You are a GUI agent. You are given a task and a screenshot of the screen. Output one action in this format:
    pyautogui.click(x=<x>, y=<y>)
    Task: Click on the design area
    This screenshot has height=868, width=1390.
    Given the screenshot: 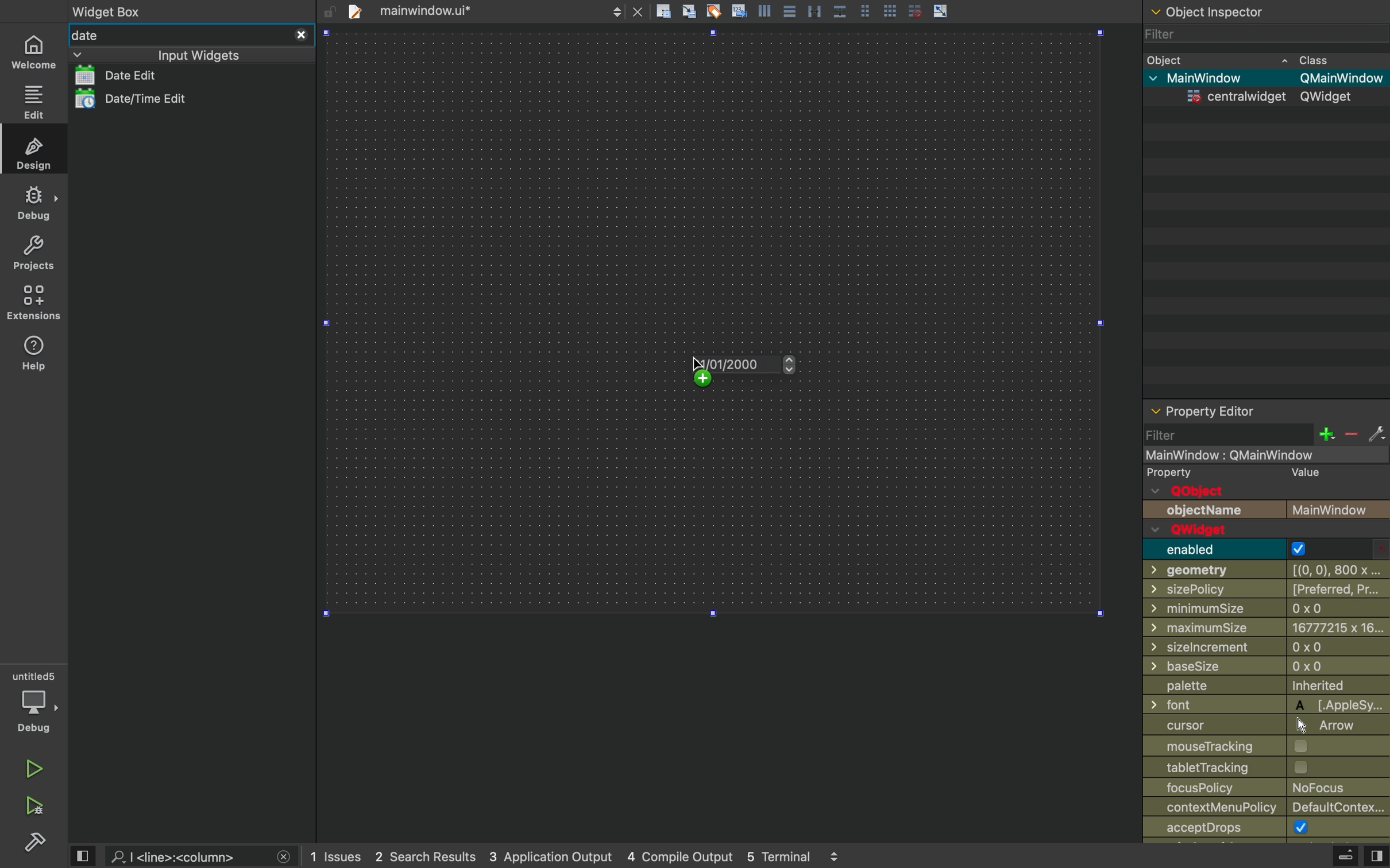 What is the action you would take?
    pyautogui.click(x=712, y=321)
    